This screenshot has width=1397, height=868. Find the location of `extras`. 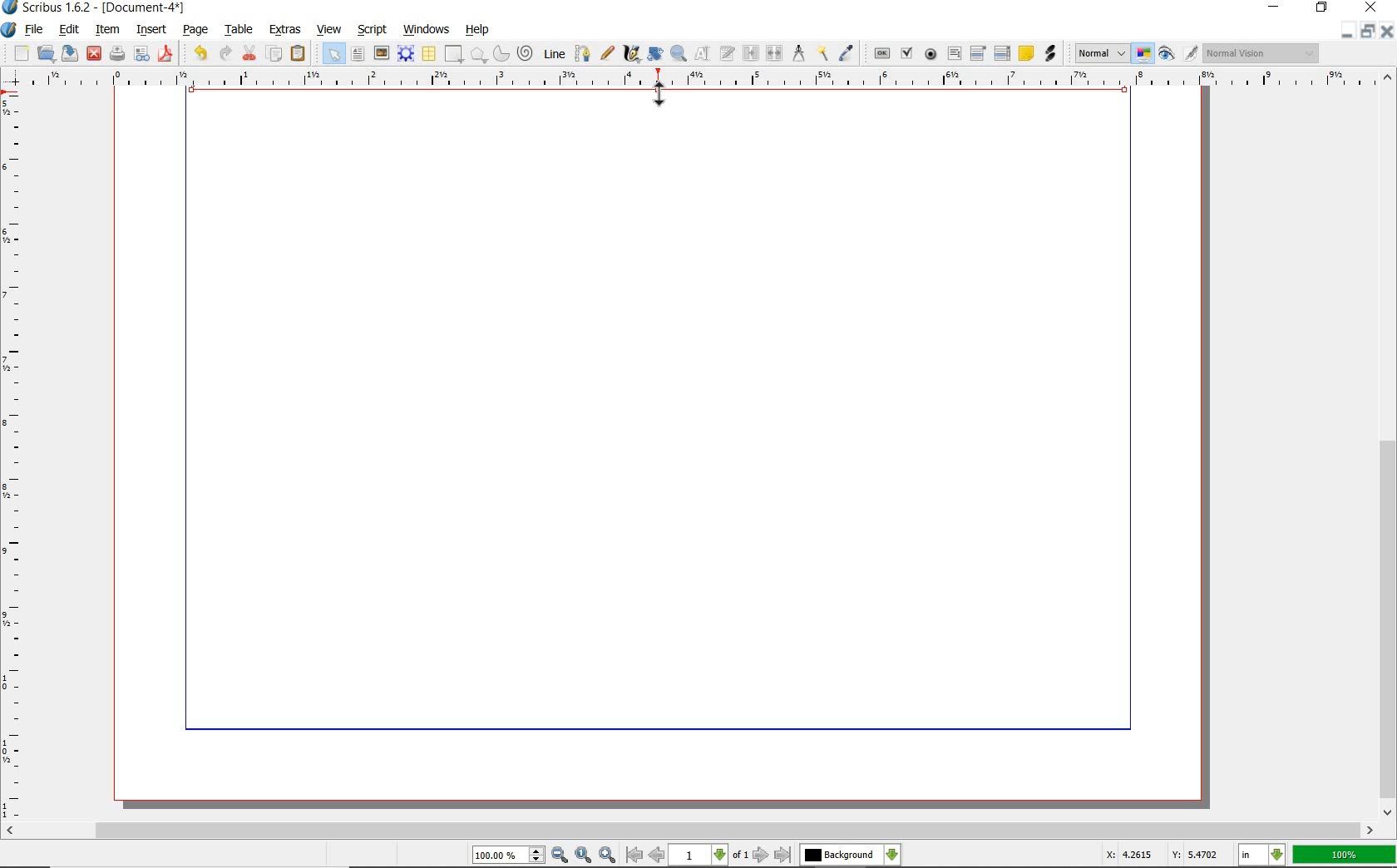

extras is located at coordinates (284, 30).